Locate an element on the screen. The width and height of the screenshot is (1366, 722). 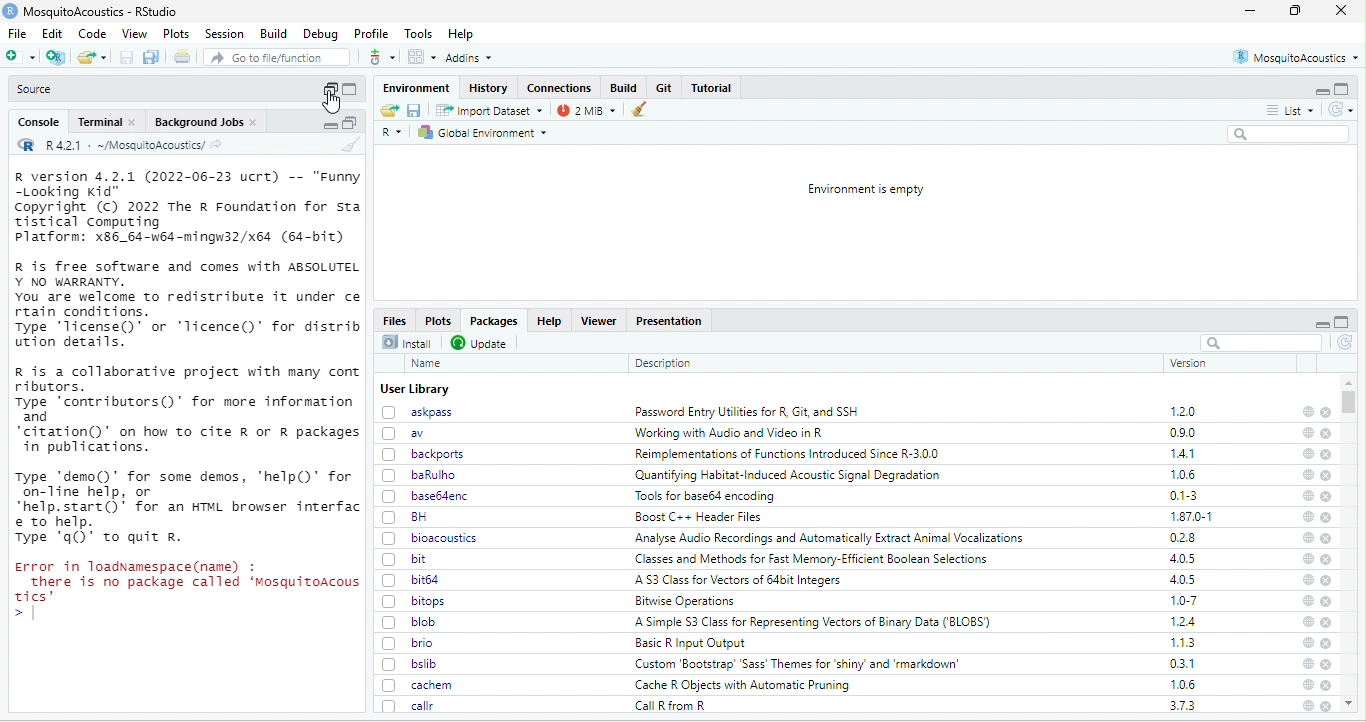
0.1-3 is located at coordinates (1182, 495).